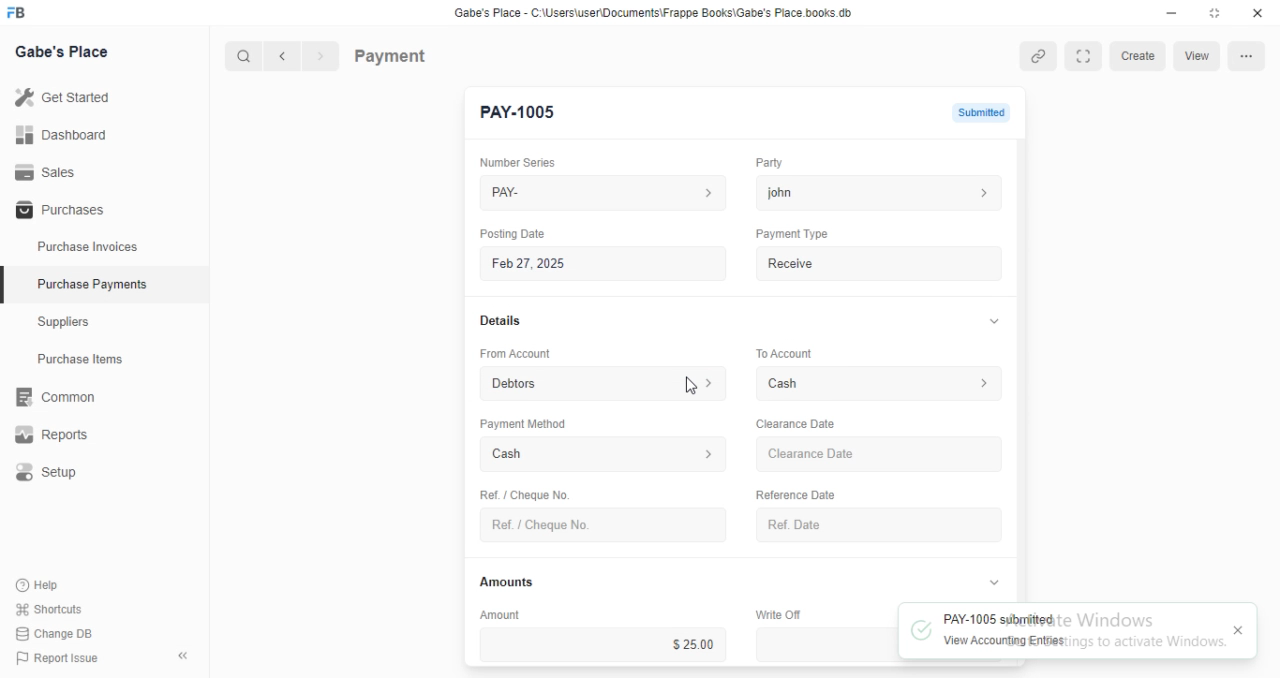 The image size is (1280, 678). I want to click on navigate forward, so click(322, 57).